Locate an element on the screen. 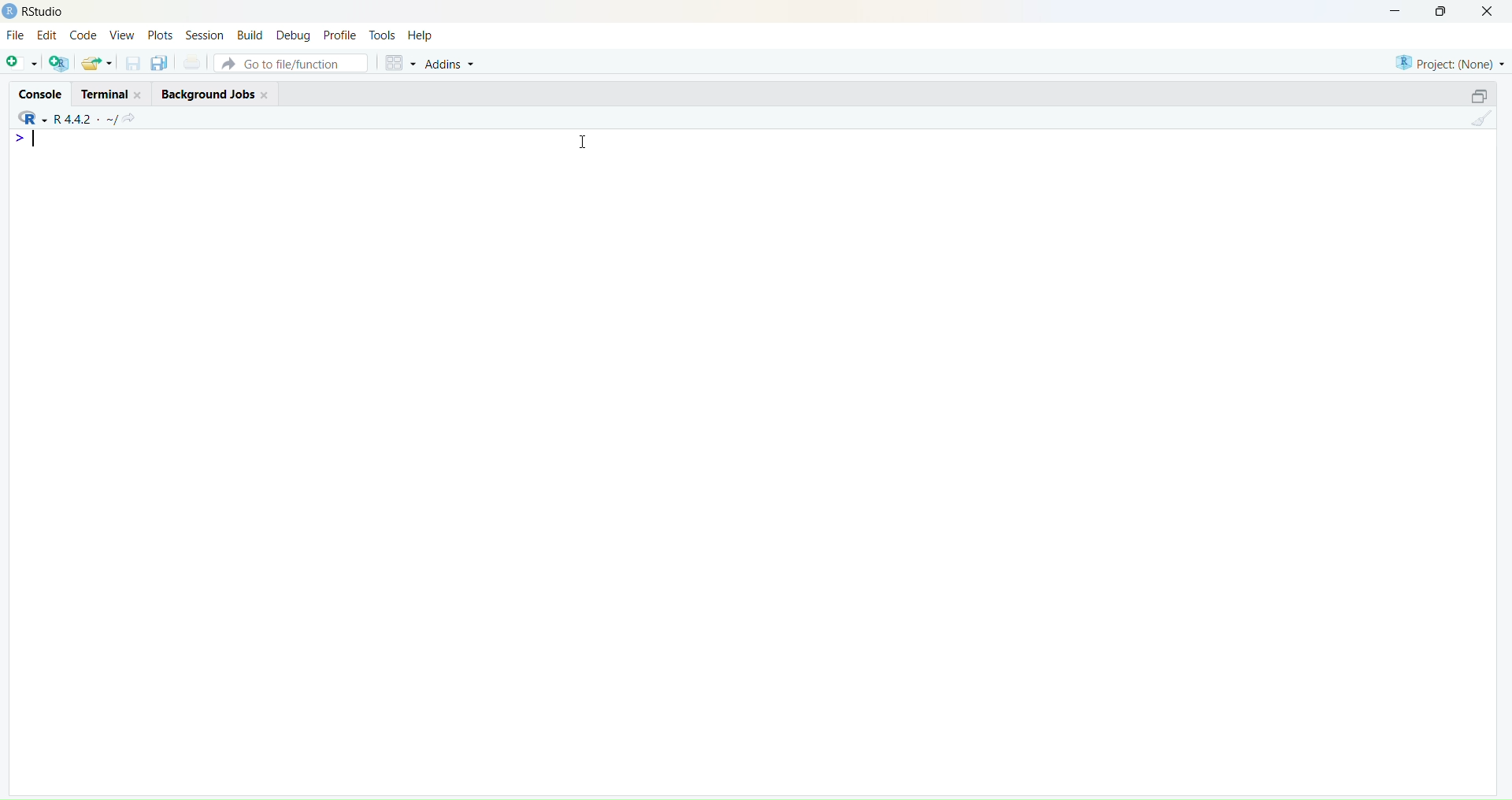 The height and width of the screenshot is (800, 1512). Tools is located at coordinates (383, 35).